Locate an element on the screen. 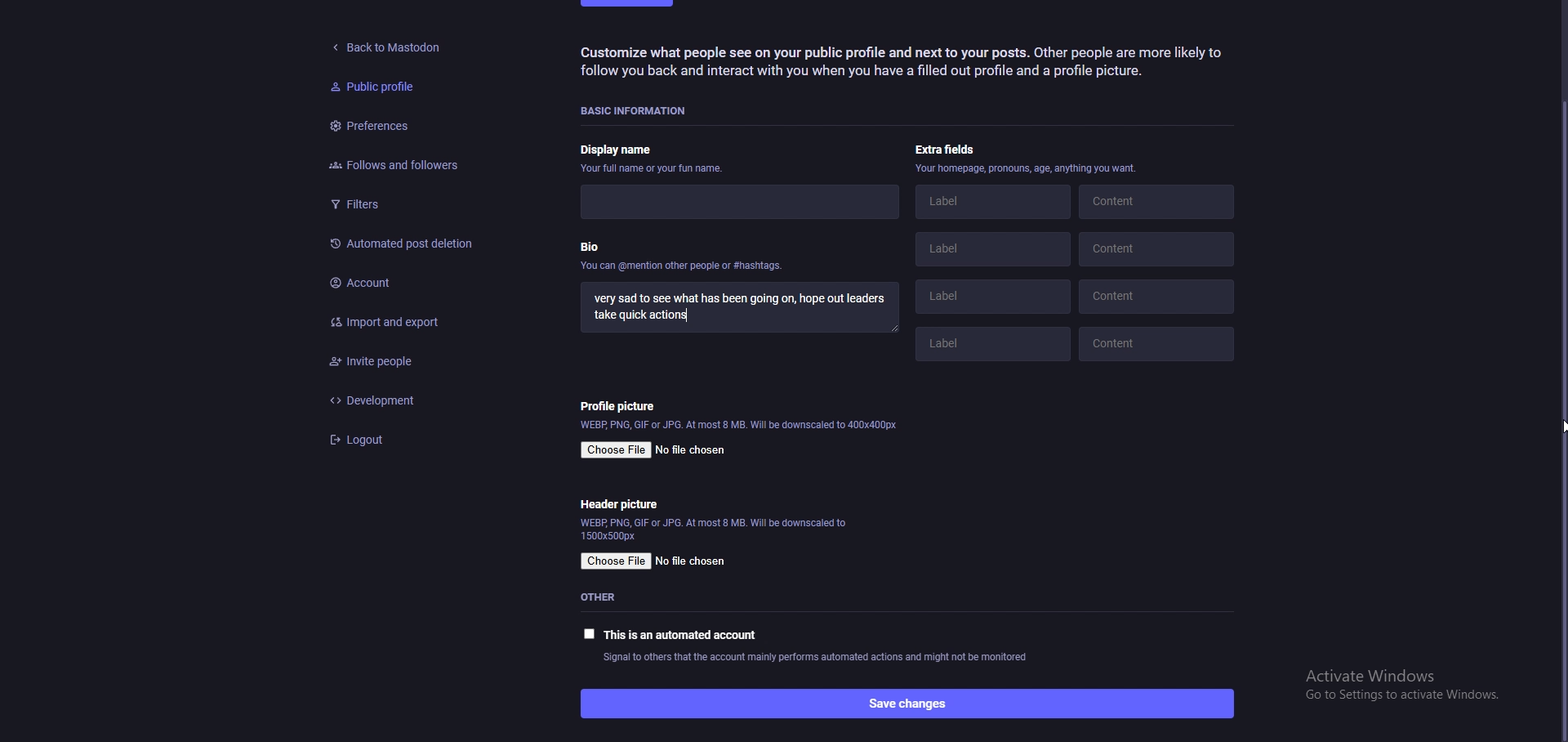 This screenshot has height=742, width=1568. label is located at coordinates (993, 203).